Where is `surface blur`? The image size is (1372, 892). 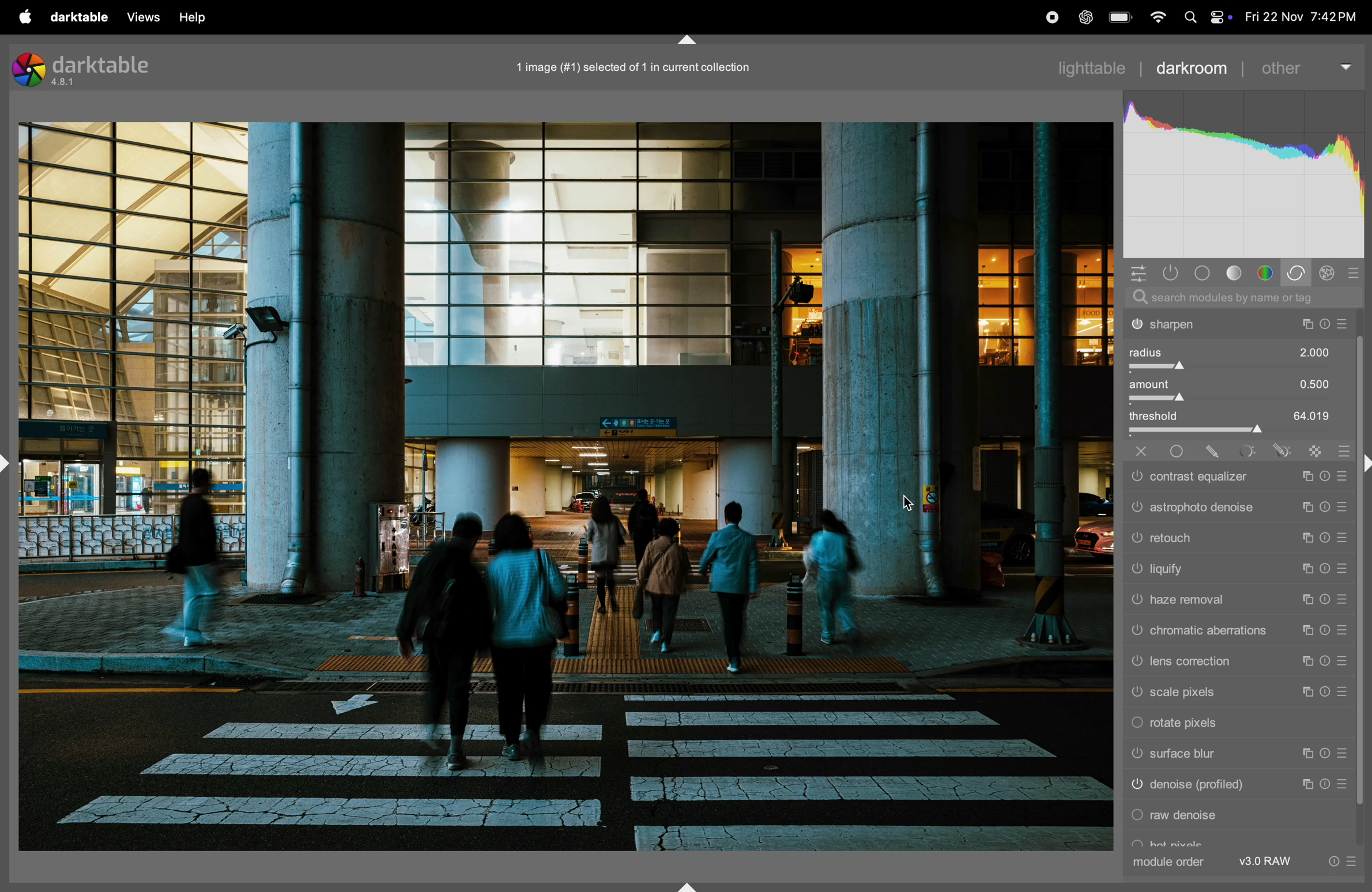
surface blur is located at coordinates (1232, 756).